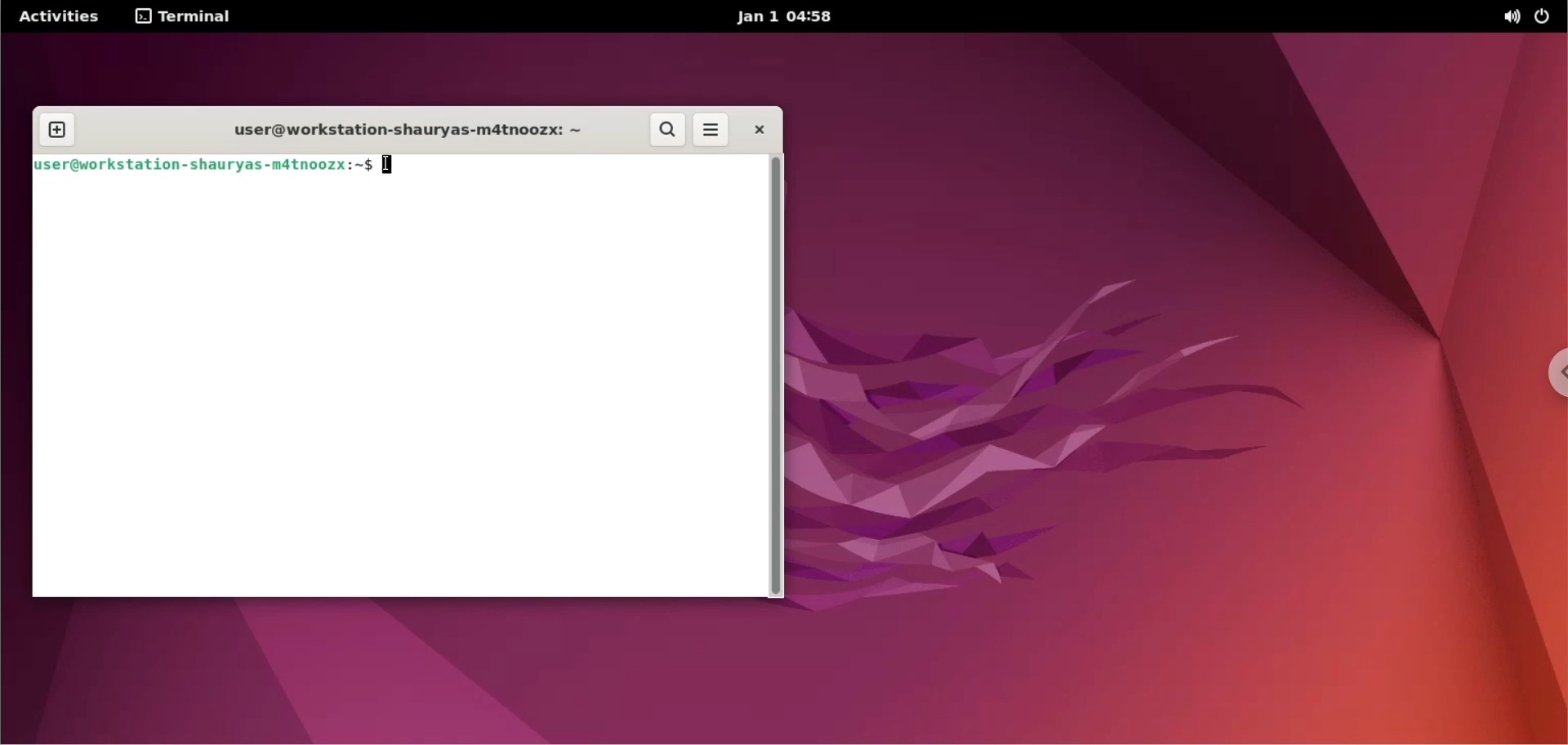 This screenshot has height=745, width=1568. I want to click on new tab, so click(56, 129).